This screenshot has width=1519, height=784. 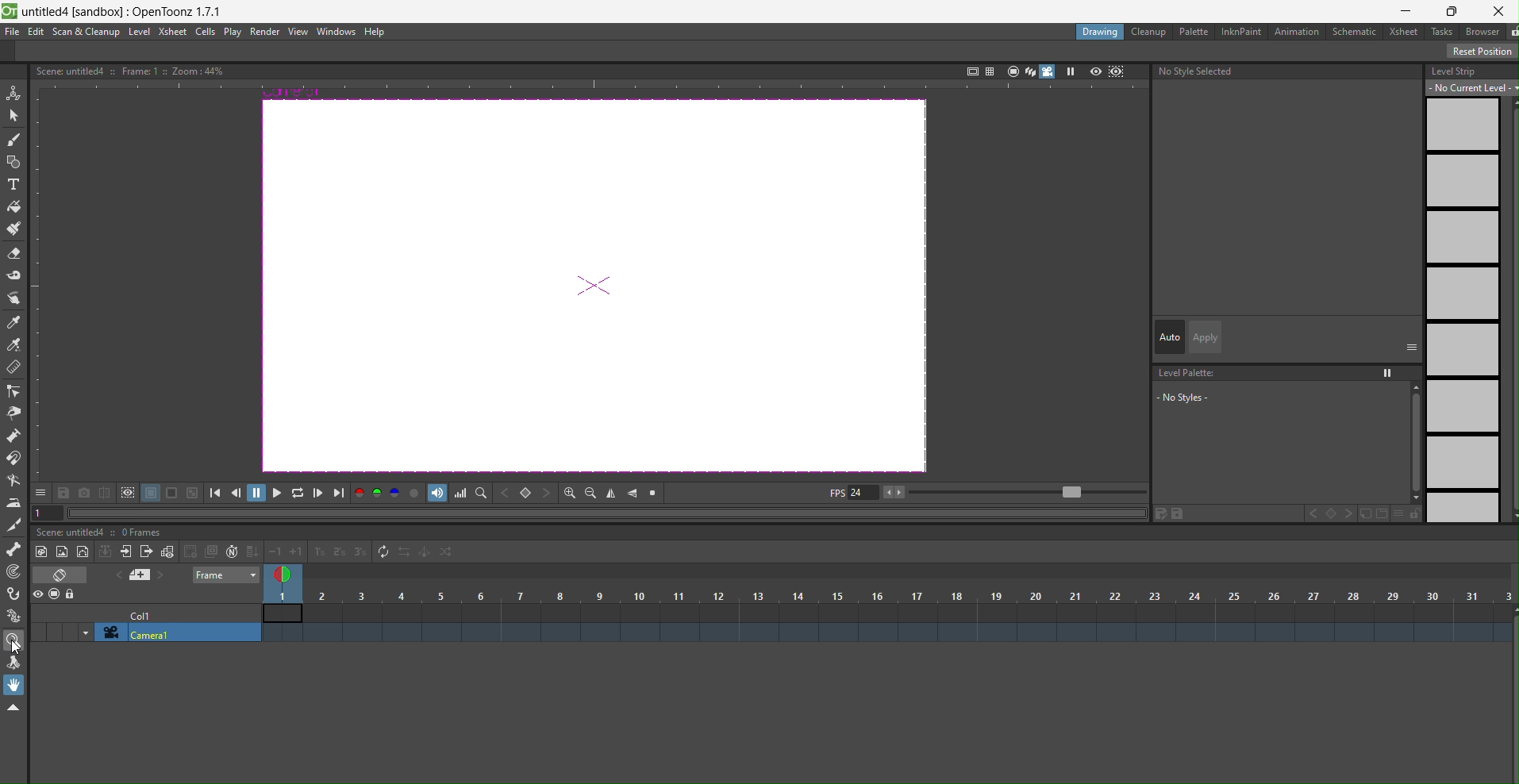 I want to click on windows, so click(x=337, y=33).